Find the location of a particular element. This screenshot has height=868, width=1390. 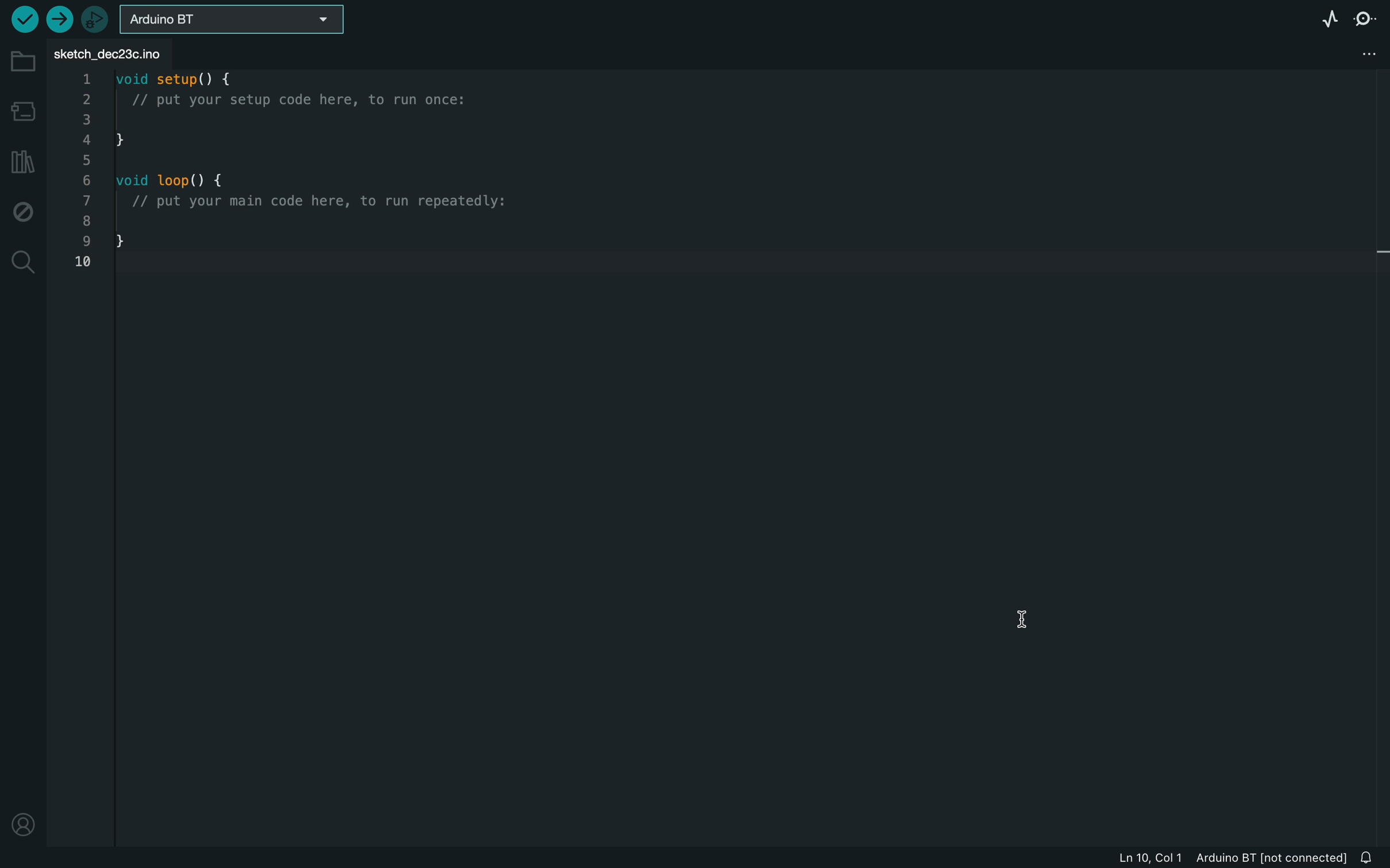

serial monitor is located at coordinates (1365, 19).